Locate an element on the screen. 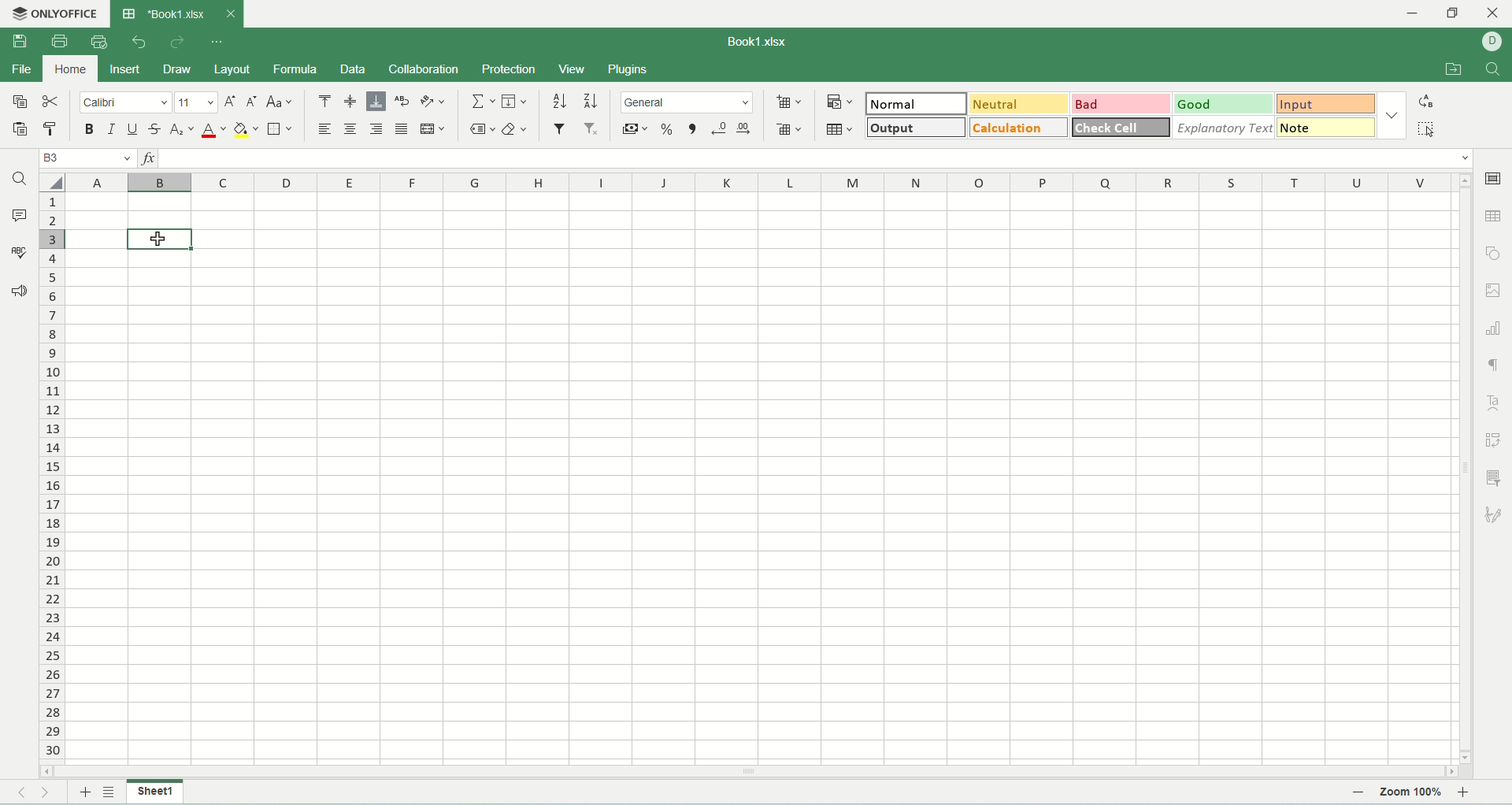  print is located at coordinates (59, 40).